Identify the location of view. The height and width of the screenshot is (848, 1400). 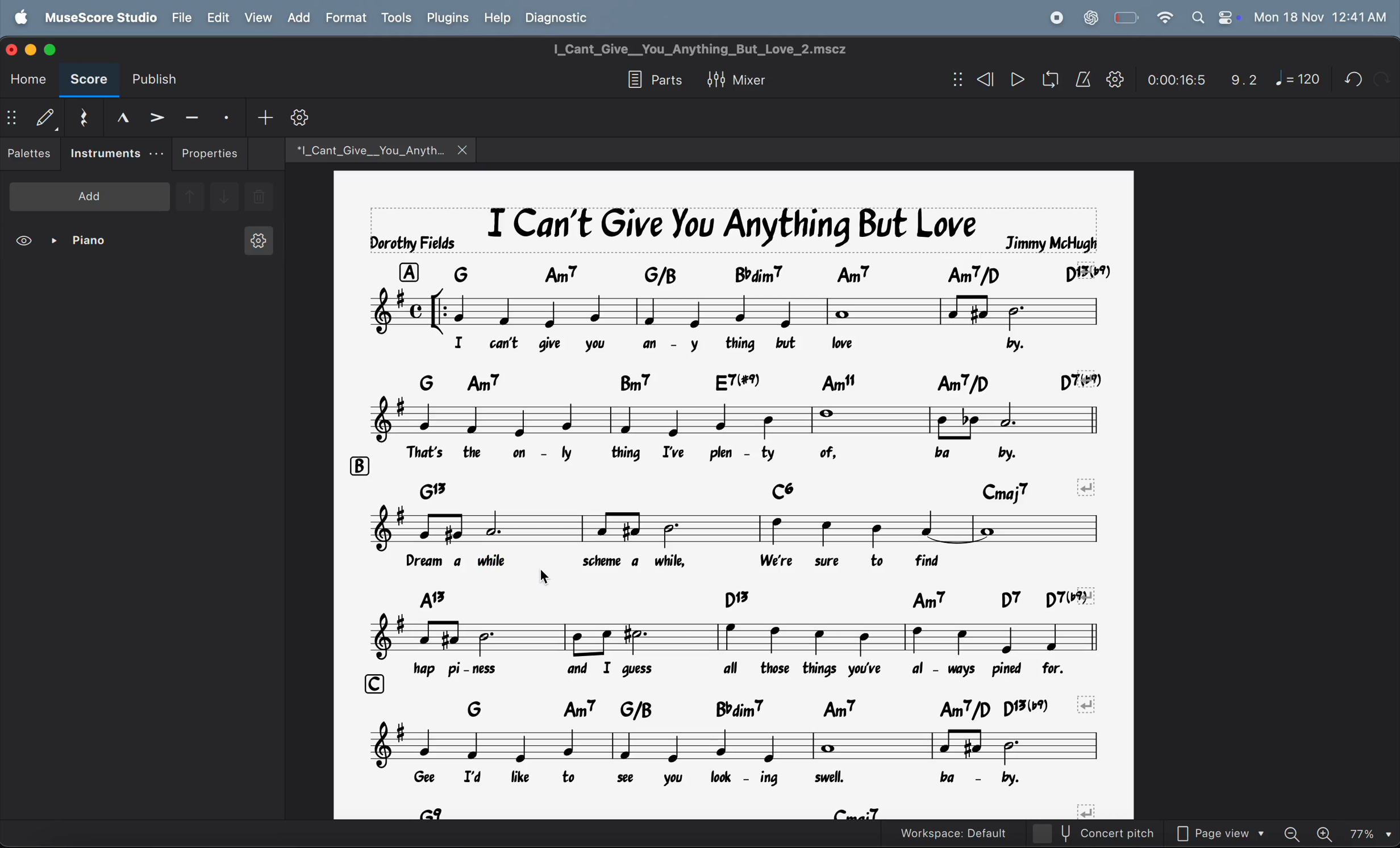
(259, 19).